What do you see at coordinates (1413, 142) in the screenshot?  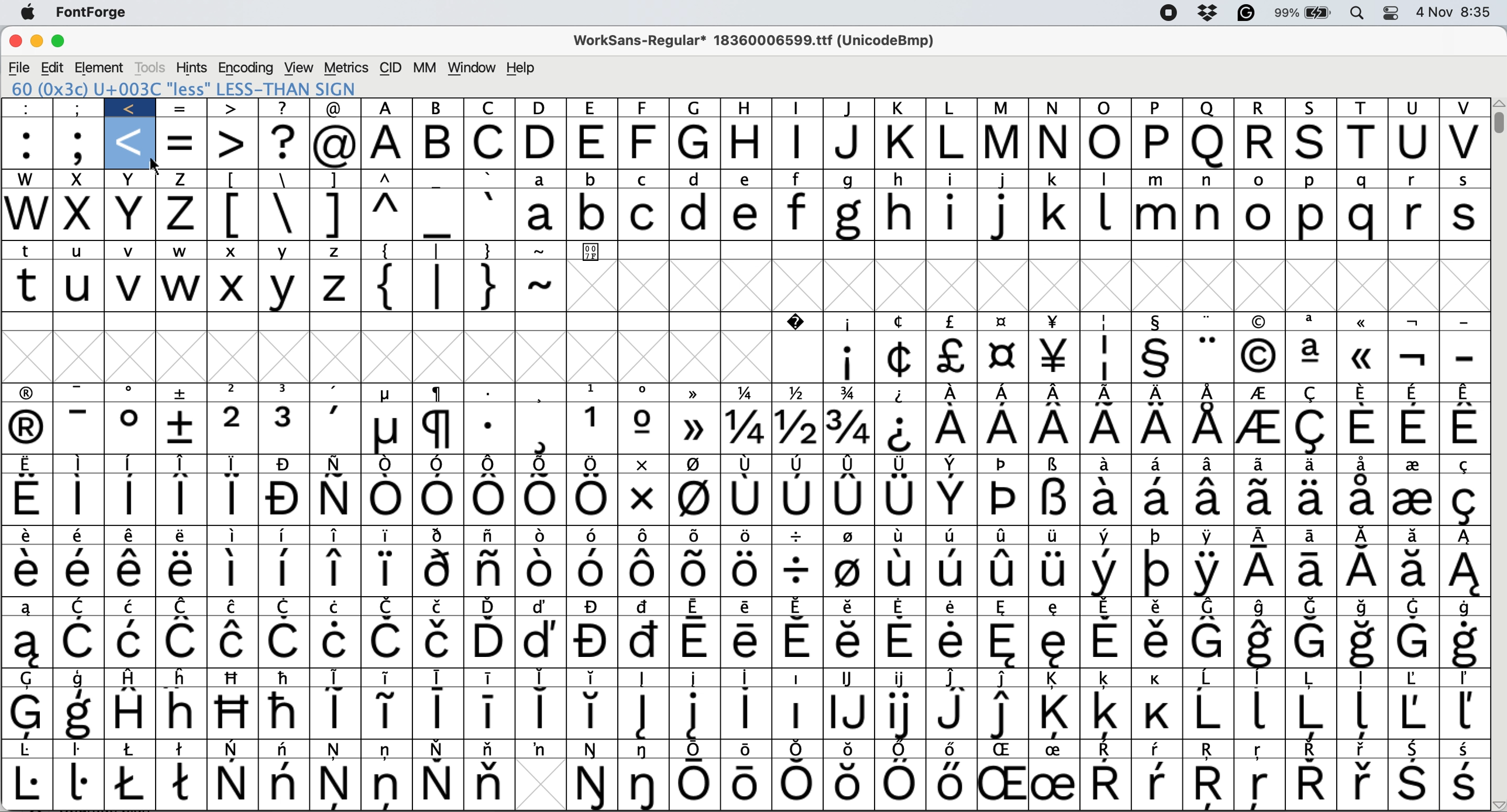 I see `u` at bounding box center [1413, 142].